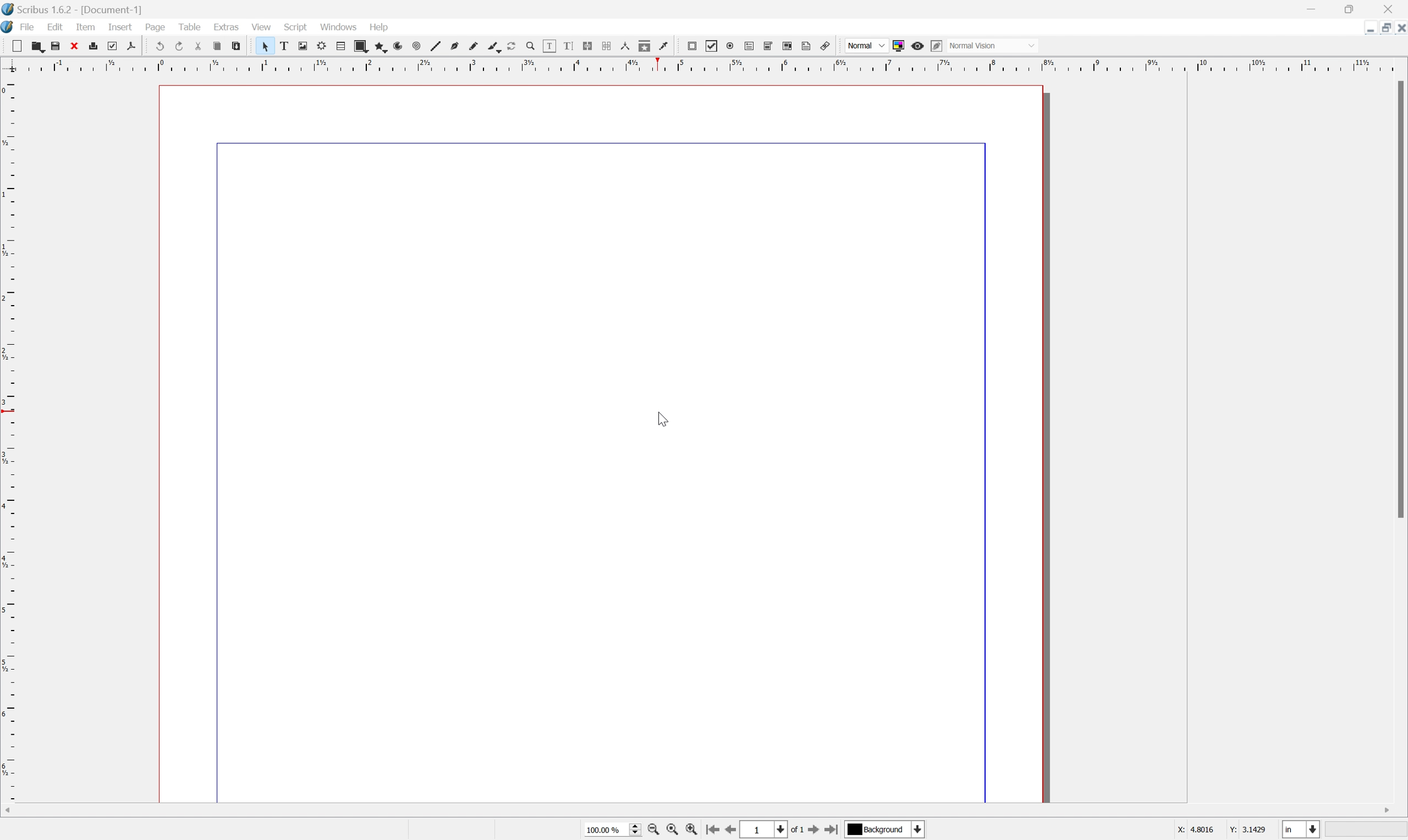  I want to click on go to first page, so click(712, 830).